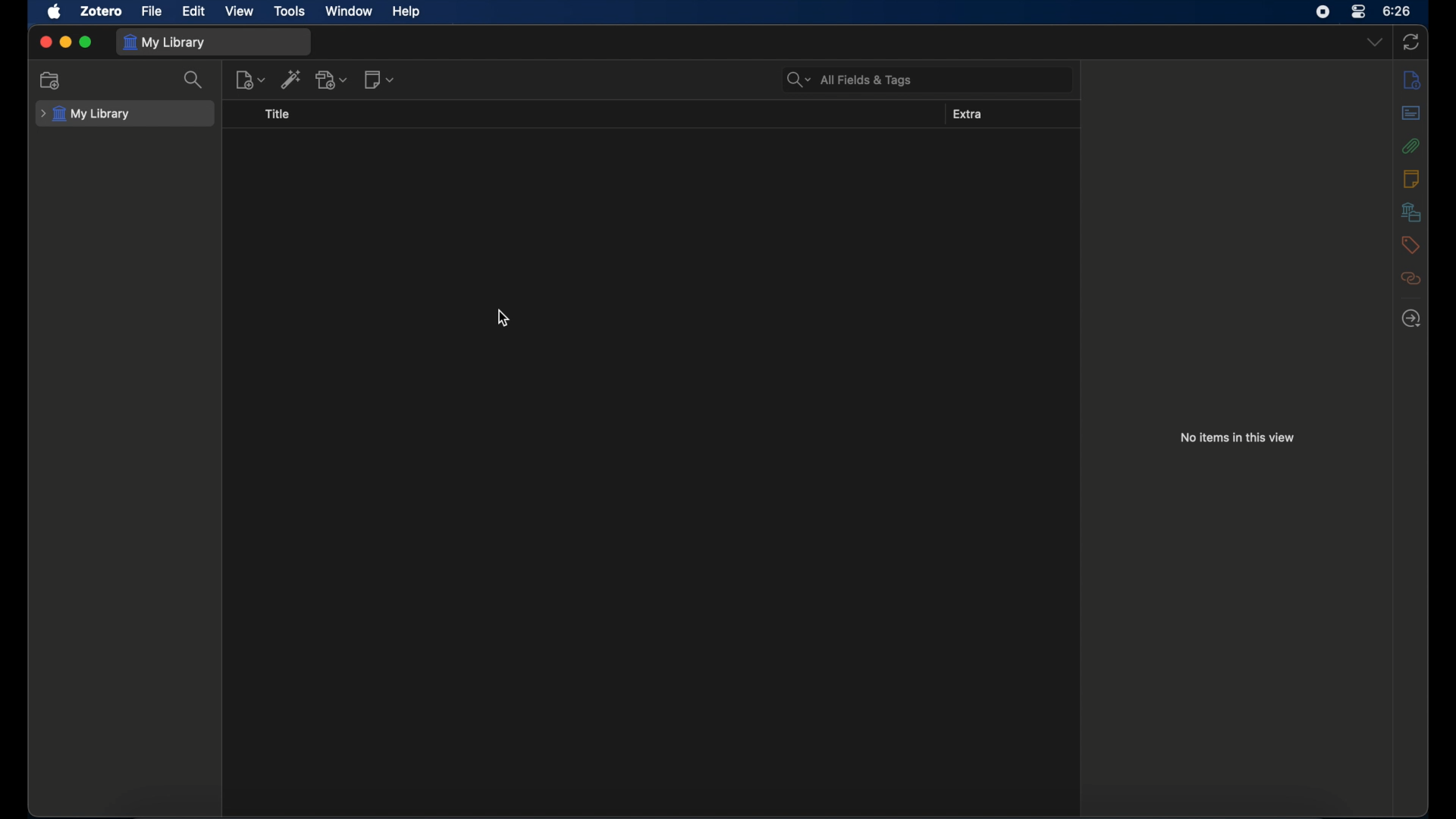  I want to click on extra, so click(968, 115).